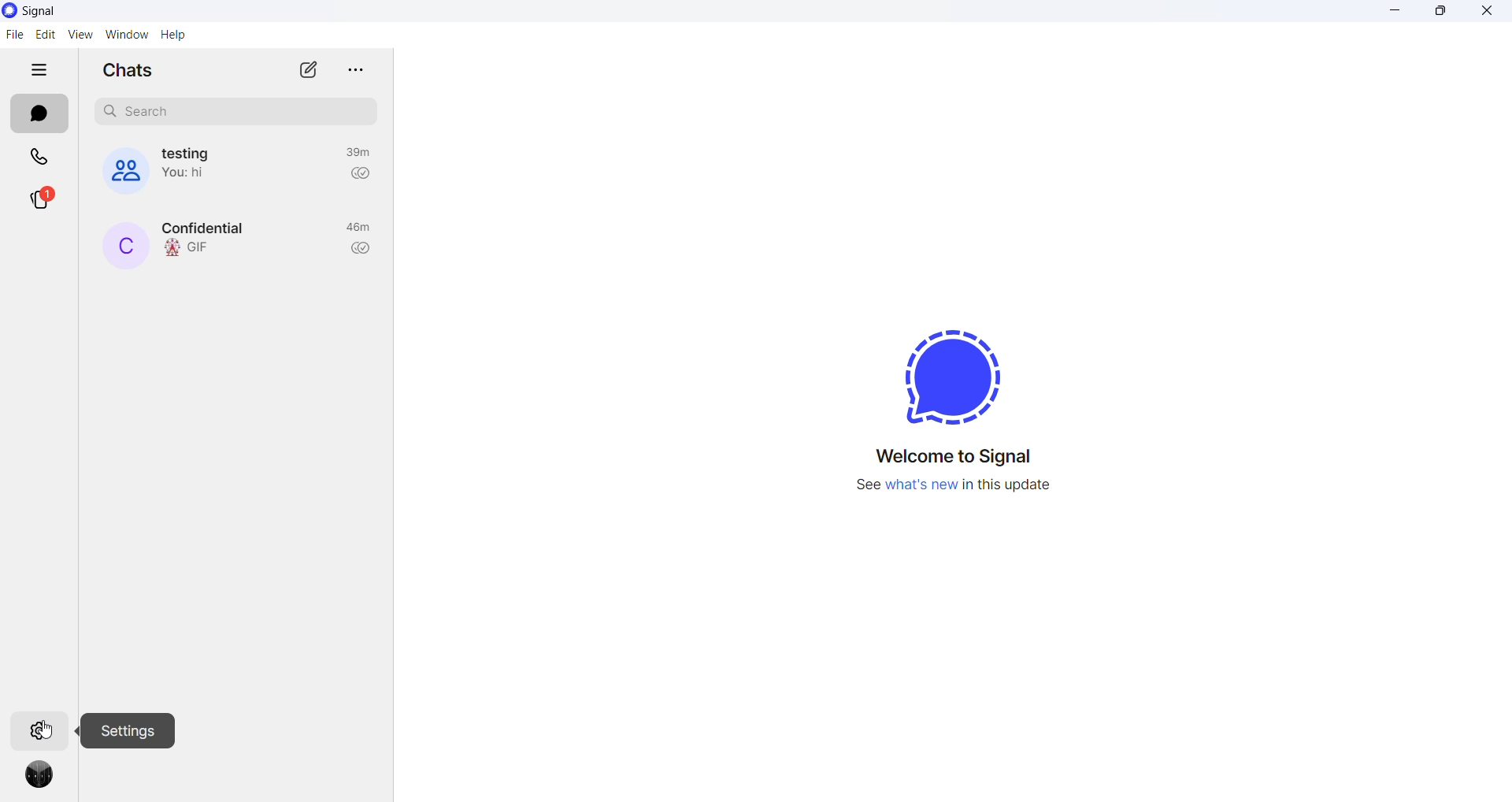  Describe the element at coordinates (127, 71) in the screenshot. I see `chats heading` at that location.